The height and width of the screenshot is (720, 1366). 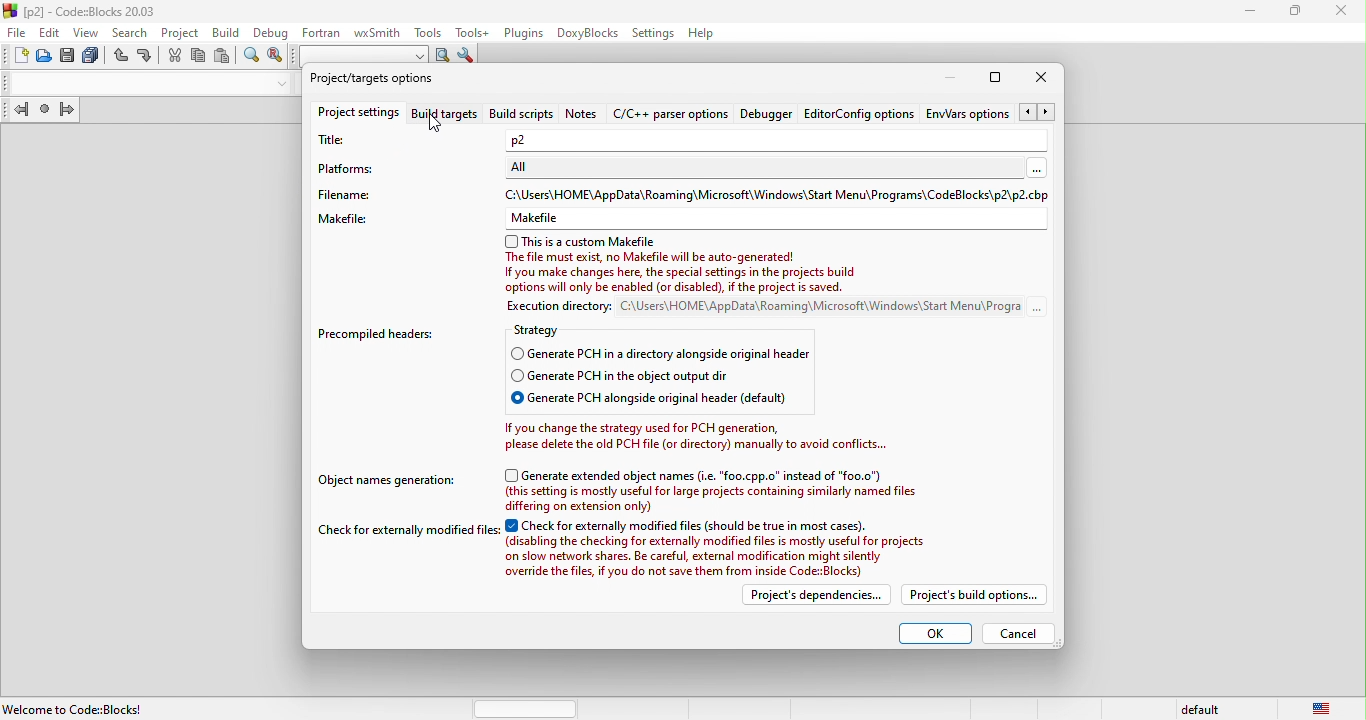 I want to click on close, so click(x=1047, y=79).